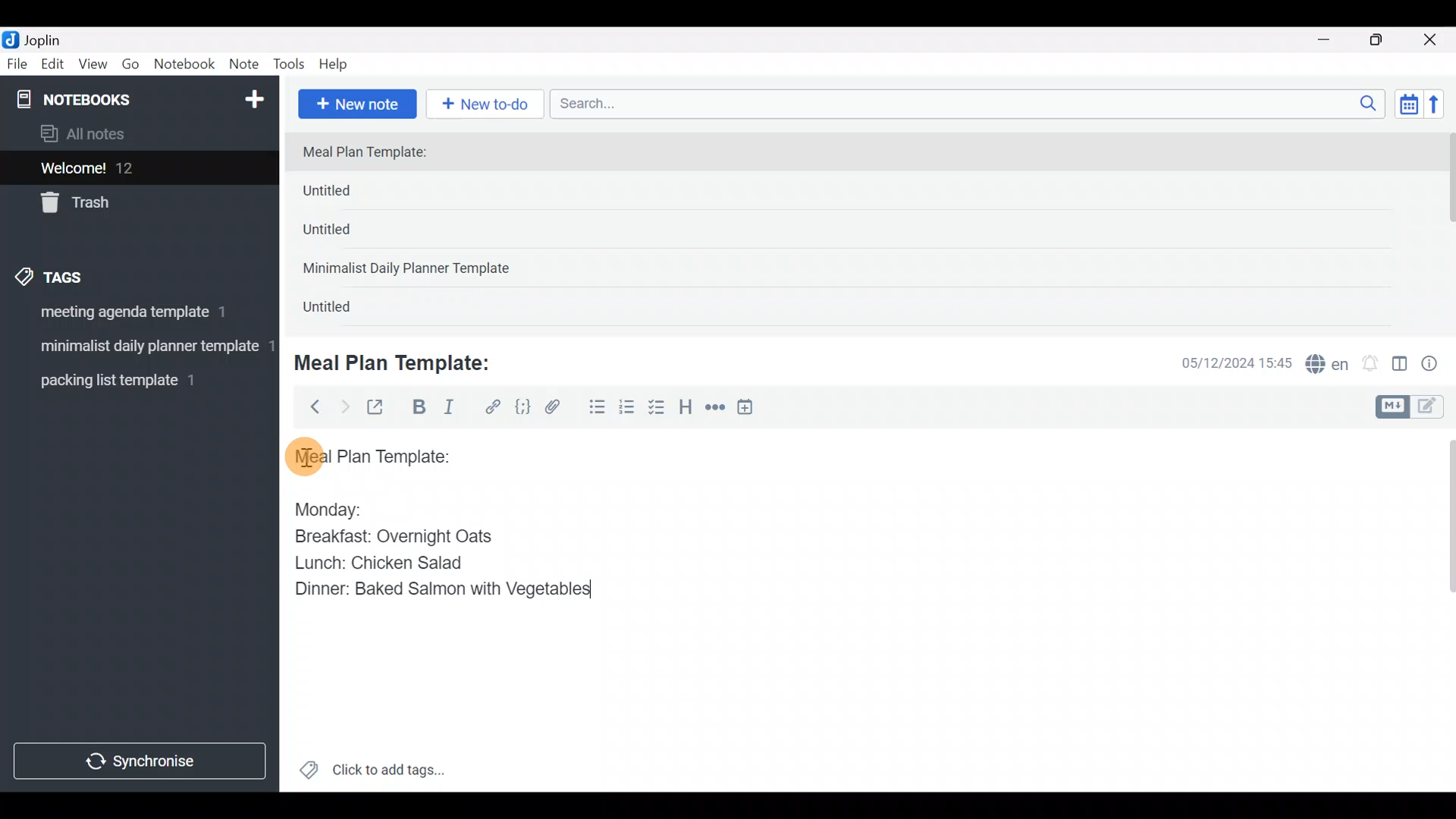  Describe the element at coordinates (93, 67) in the screenshot. I see `View` at that location.